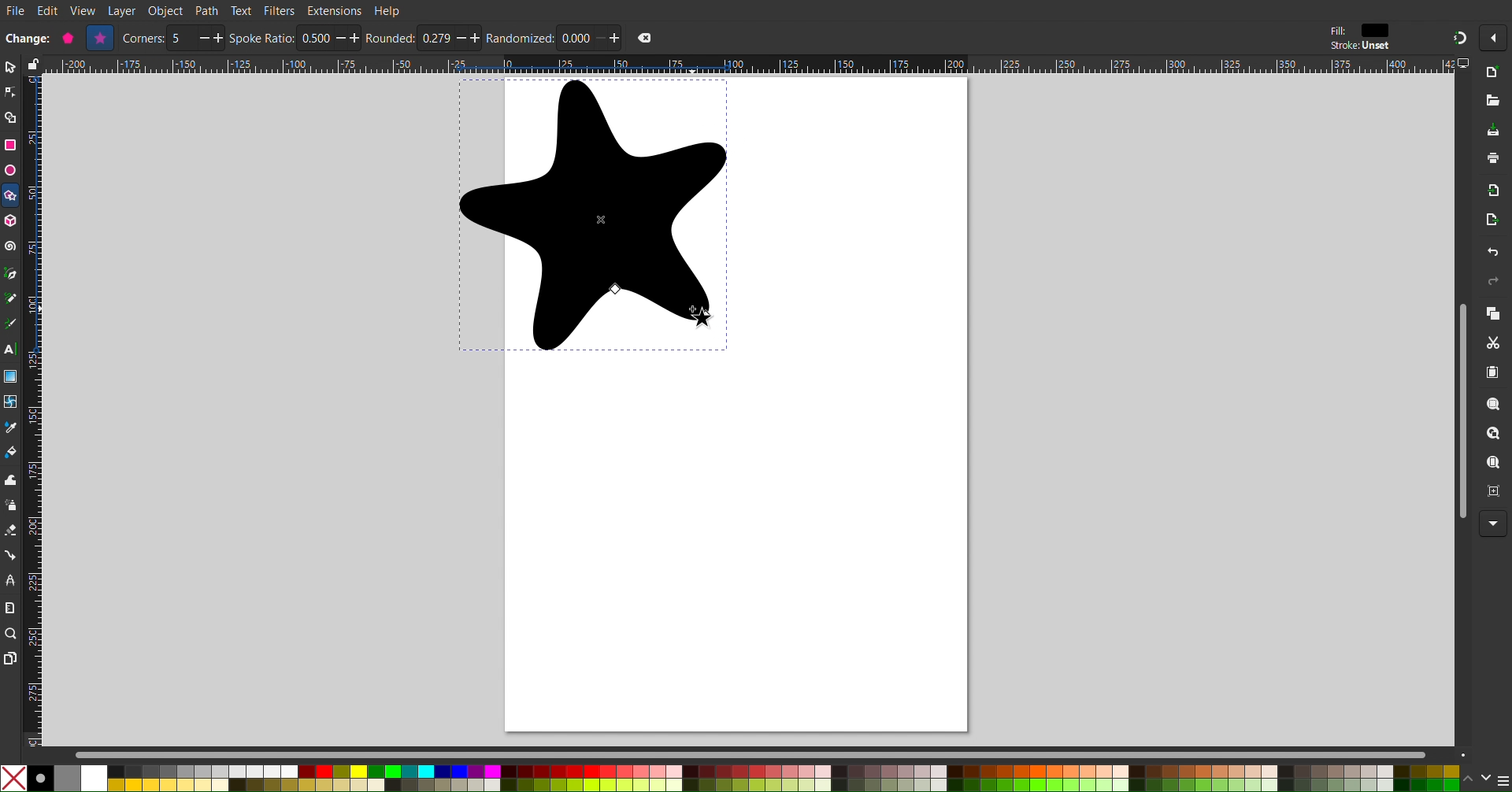 Image resolution: width=1512 pixels, height=792 pixels. I want to click on Snapping, so click(1458, 37).